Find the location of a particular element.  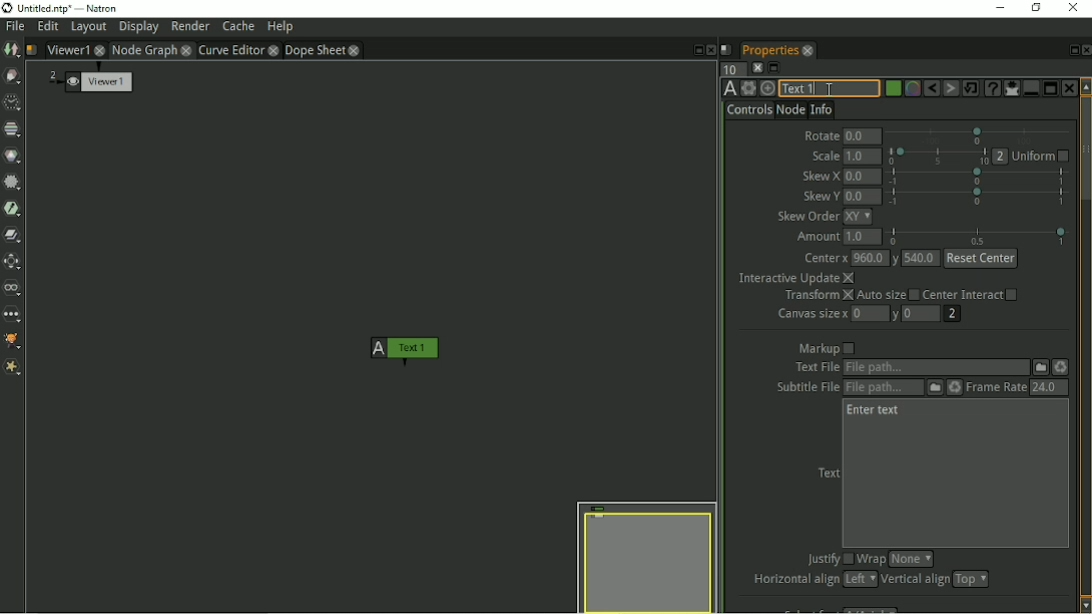

Close is located at coordinates (1076, 10).